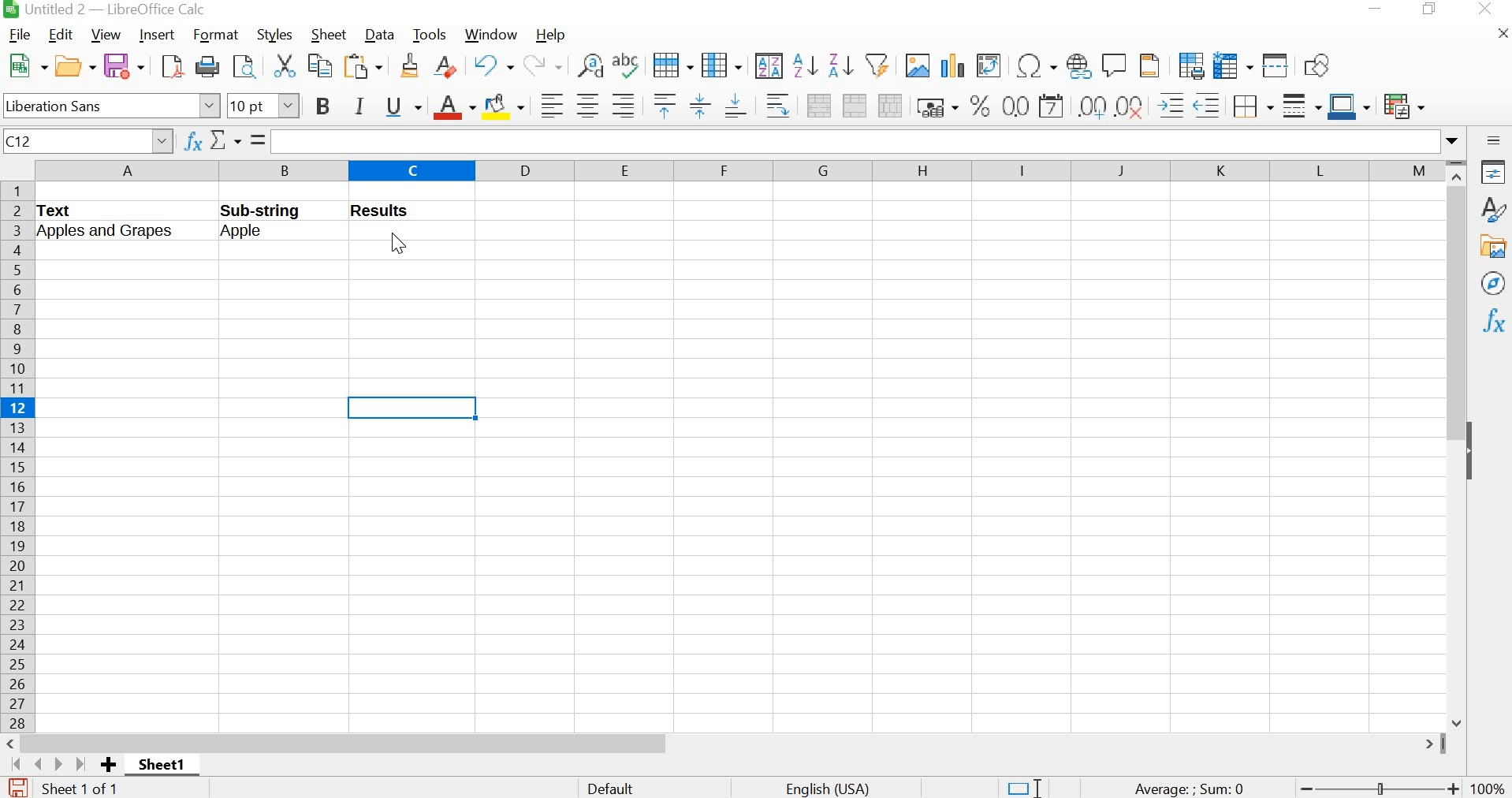 The width and height of the screenshot is (1512, 798). Describe the element at coordinates (283, 65) in the screenshot. I see `cut` at that location.